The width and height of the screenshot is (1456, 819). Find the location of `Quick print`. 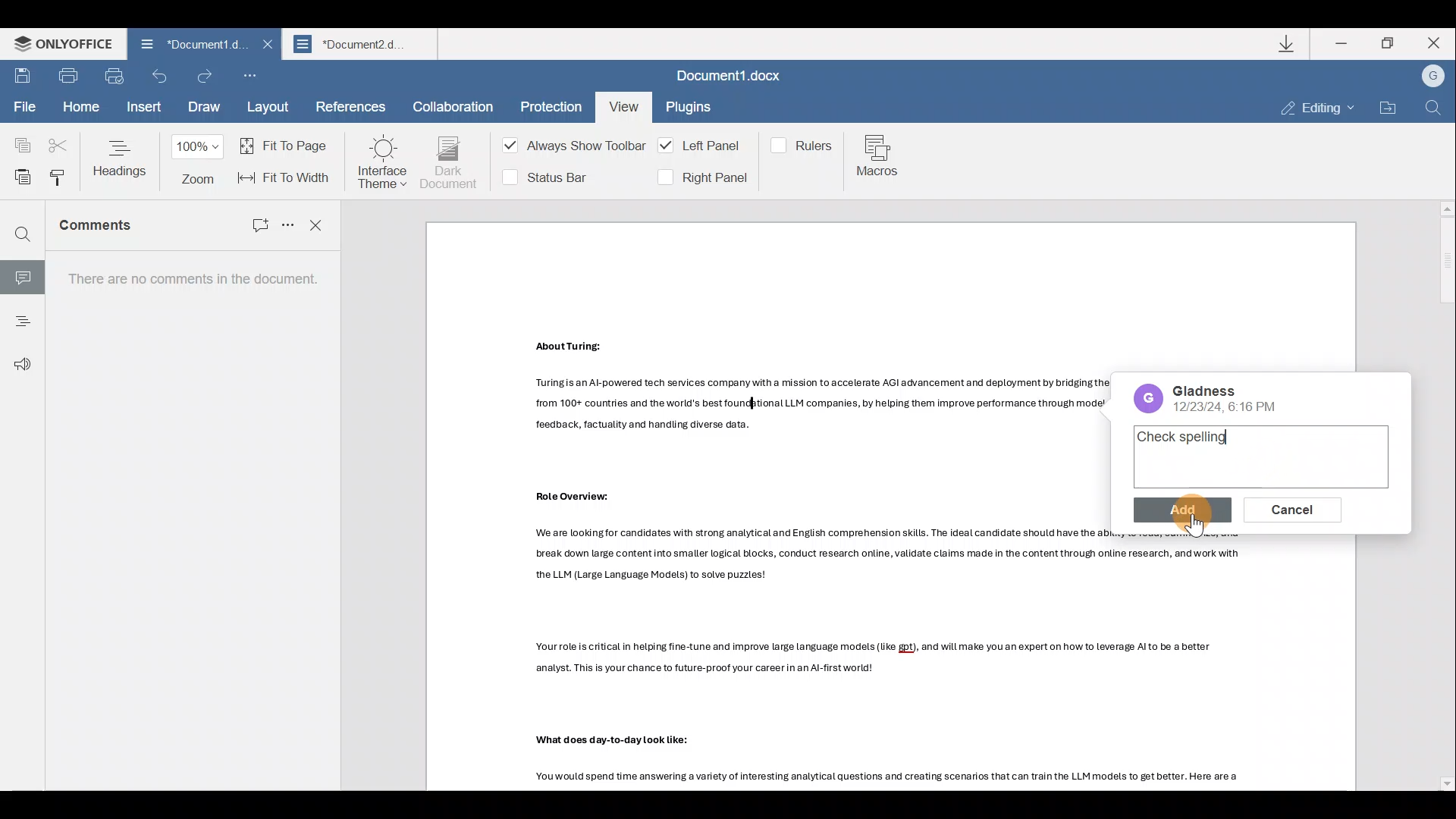

Quick print is located at coordinates (118, 77).